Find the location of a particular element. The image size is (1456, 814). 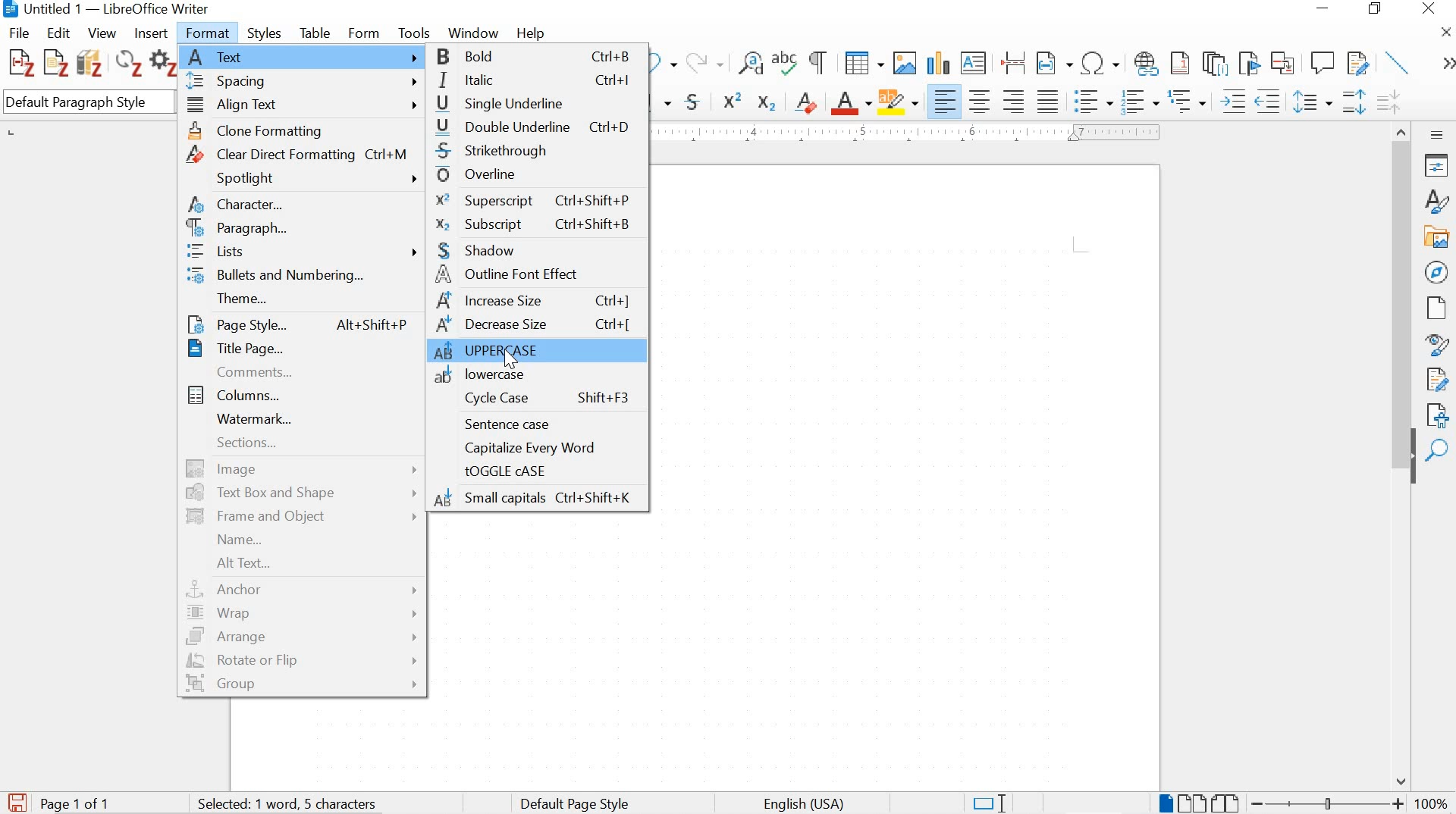

rotate or flip is located at coordinates (302, 659).